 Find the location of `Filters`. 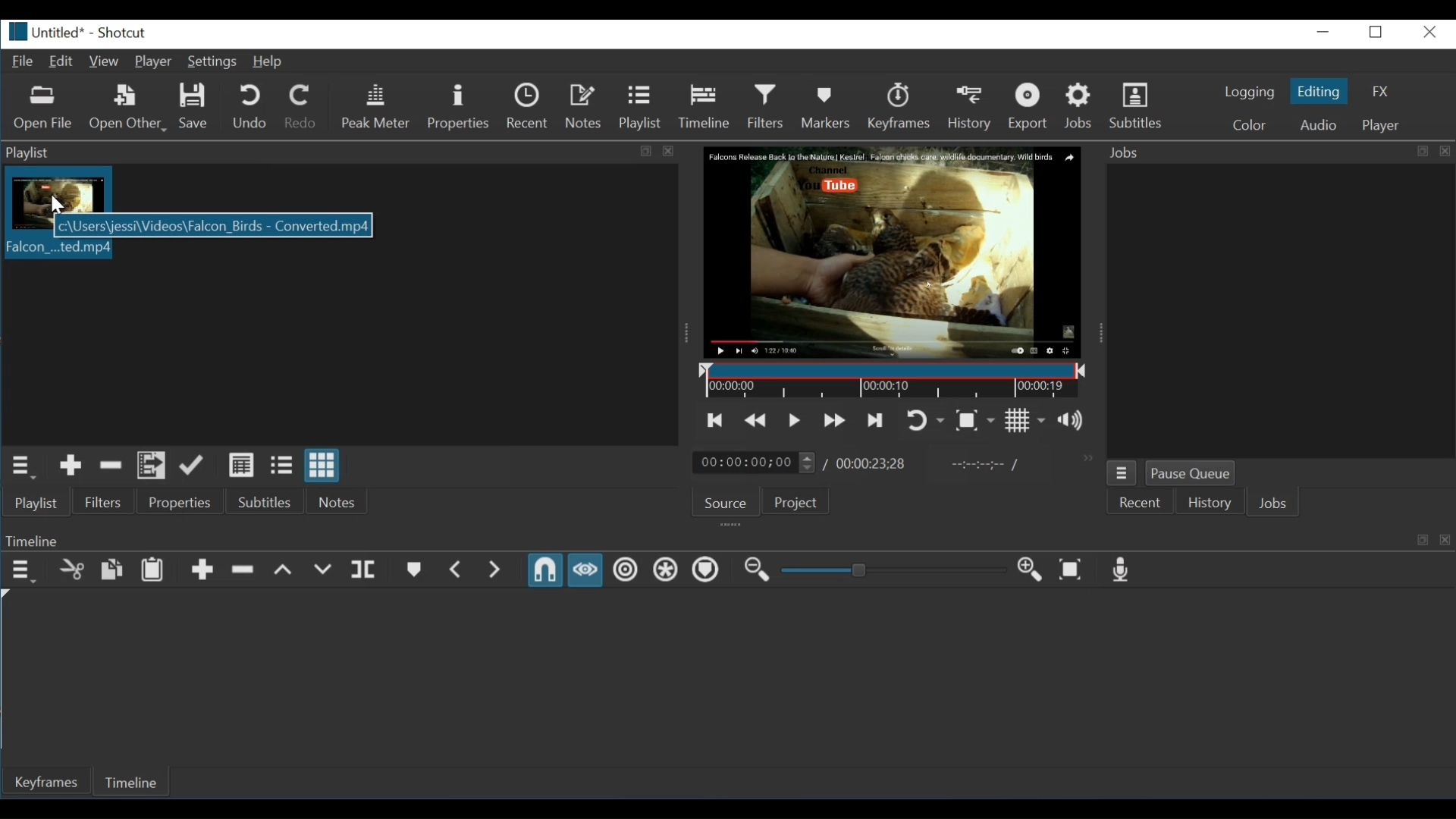

Filters is located at coordinates (104, 502).